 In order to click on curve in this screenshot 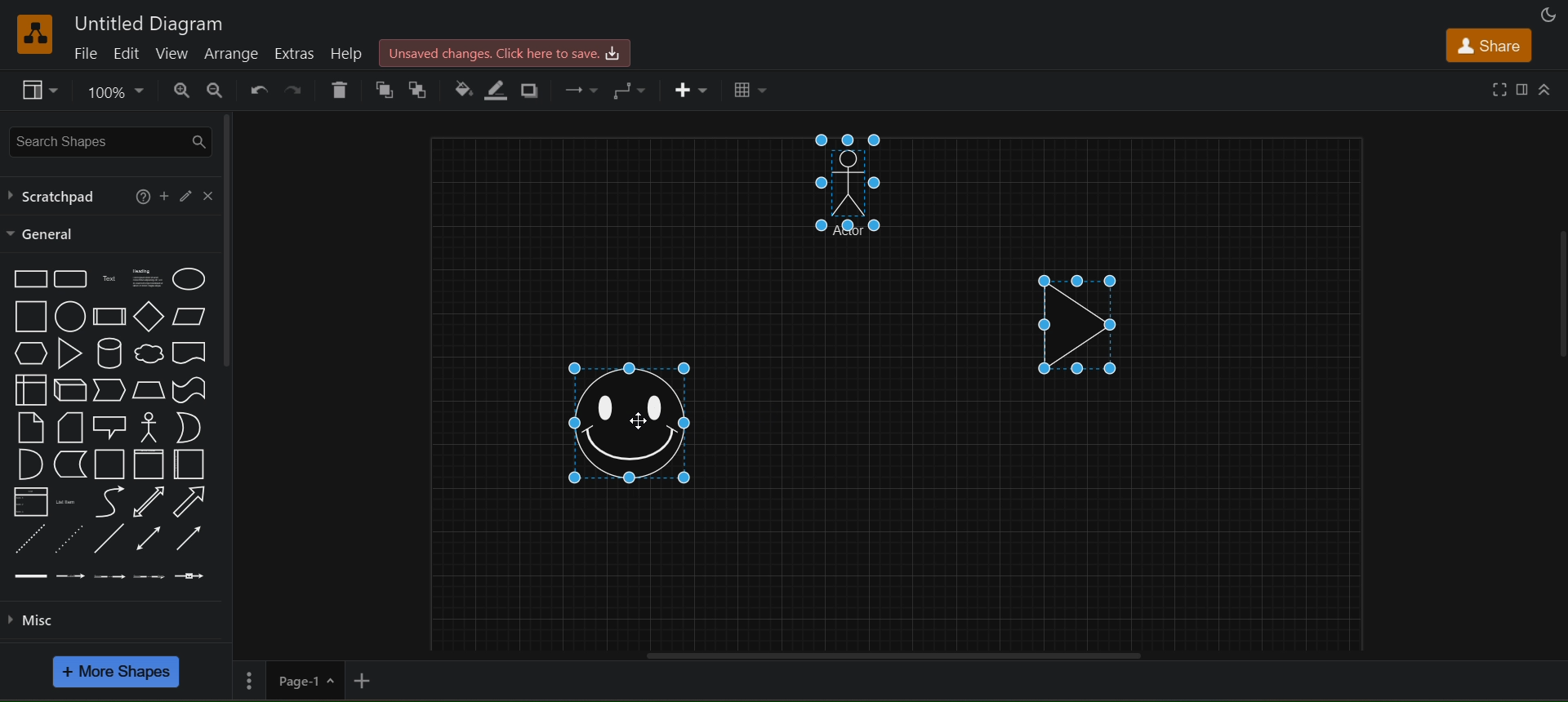, I will do `click(109, 501)`.